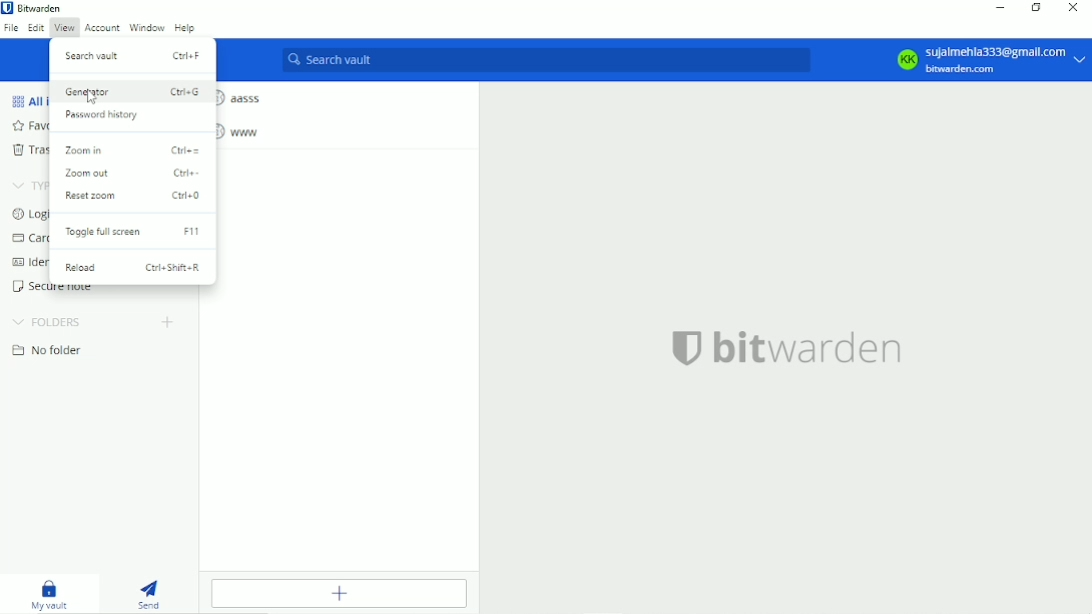  Describe the element at coordinates (988, 58) in the screenshot. I see `KK Sujalmehla333@gmail.com   bitwarden.com` at that location.